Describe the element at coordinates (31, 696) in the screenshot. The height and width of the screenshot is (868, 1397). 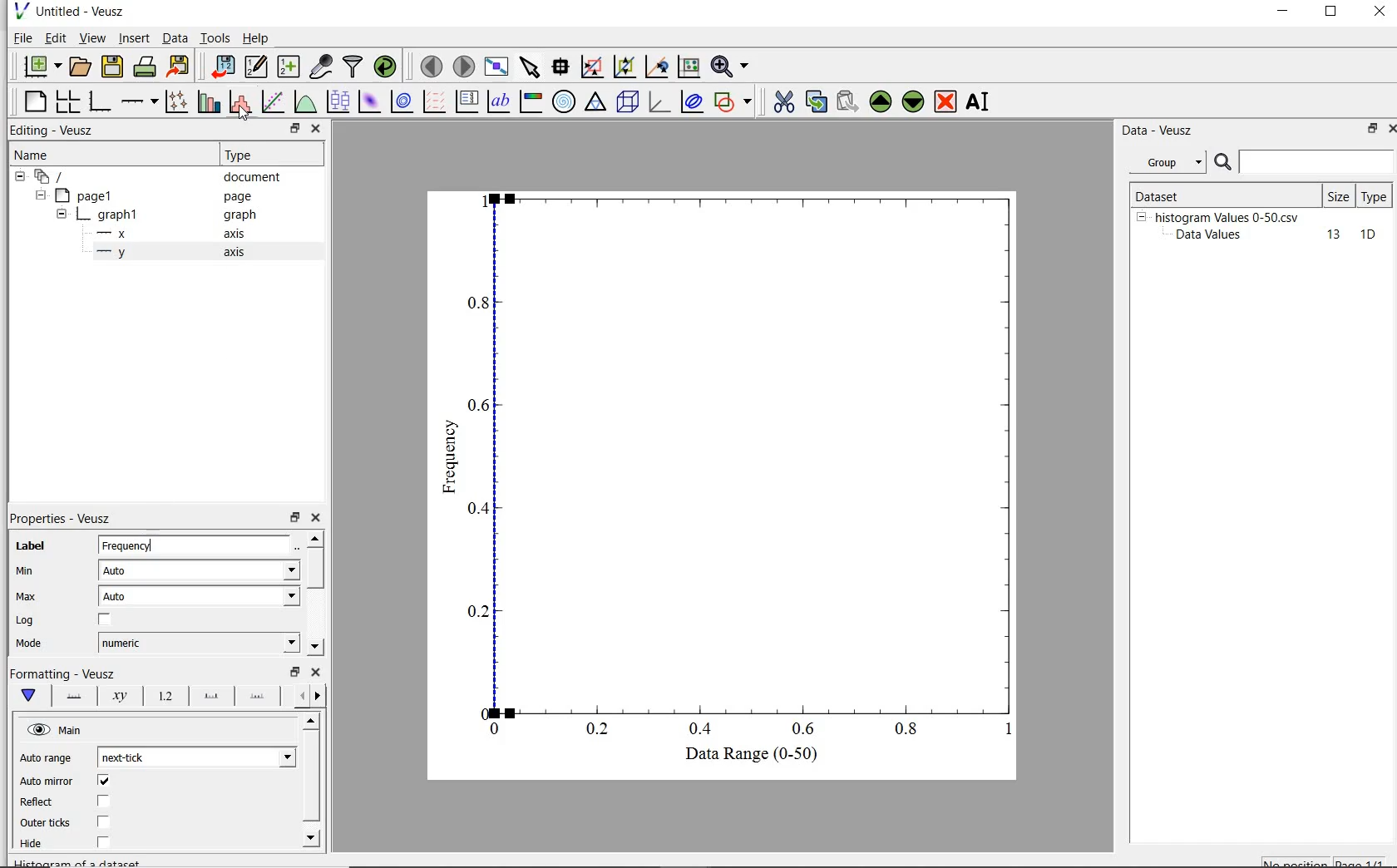
I see `main formatting` at that location.